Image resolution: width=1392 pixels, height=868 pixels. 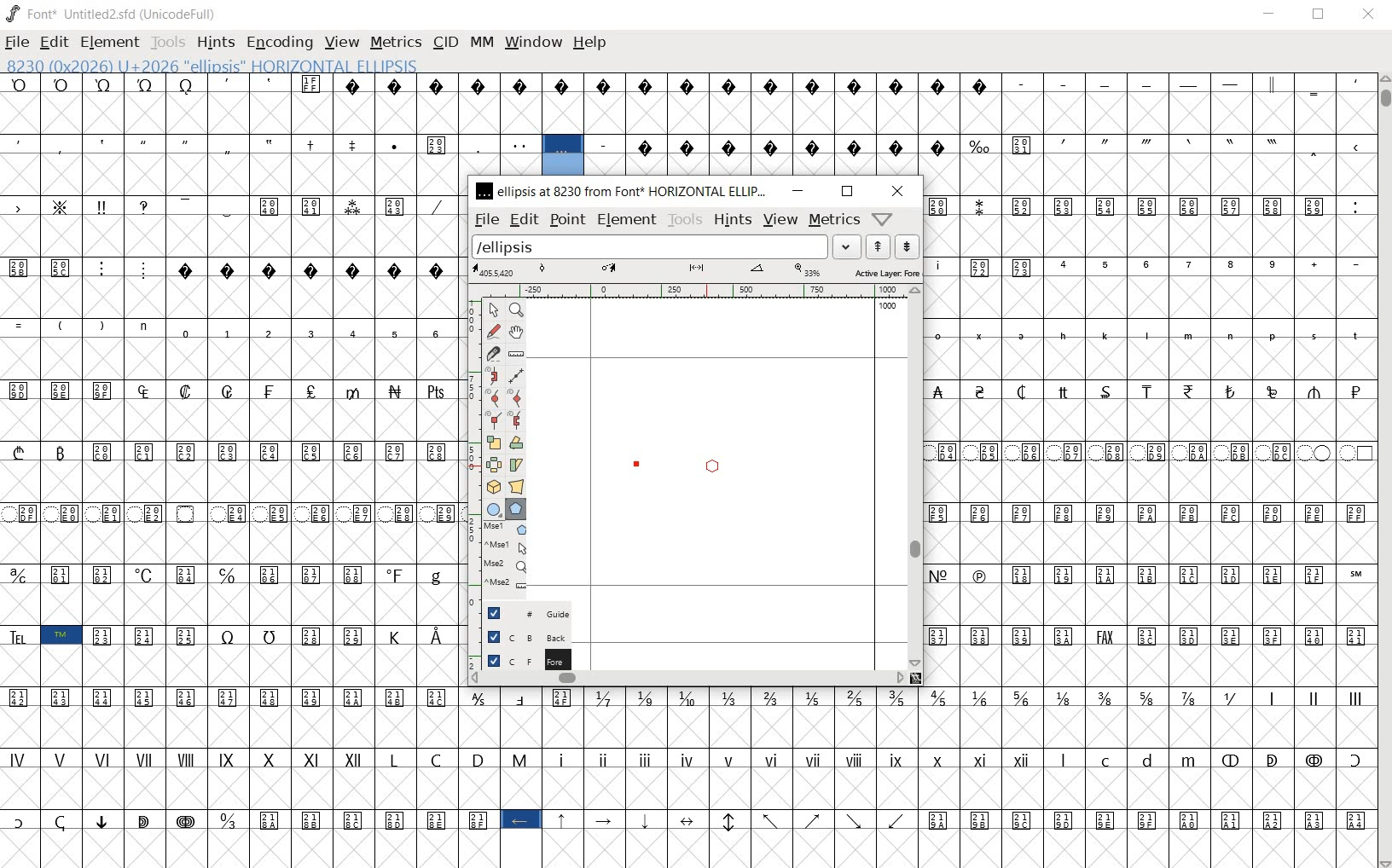 I want to click on guide, so click(x=520, y=612).